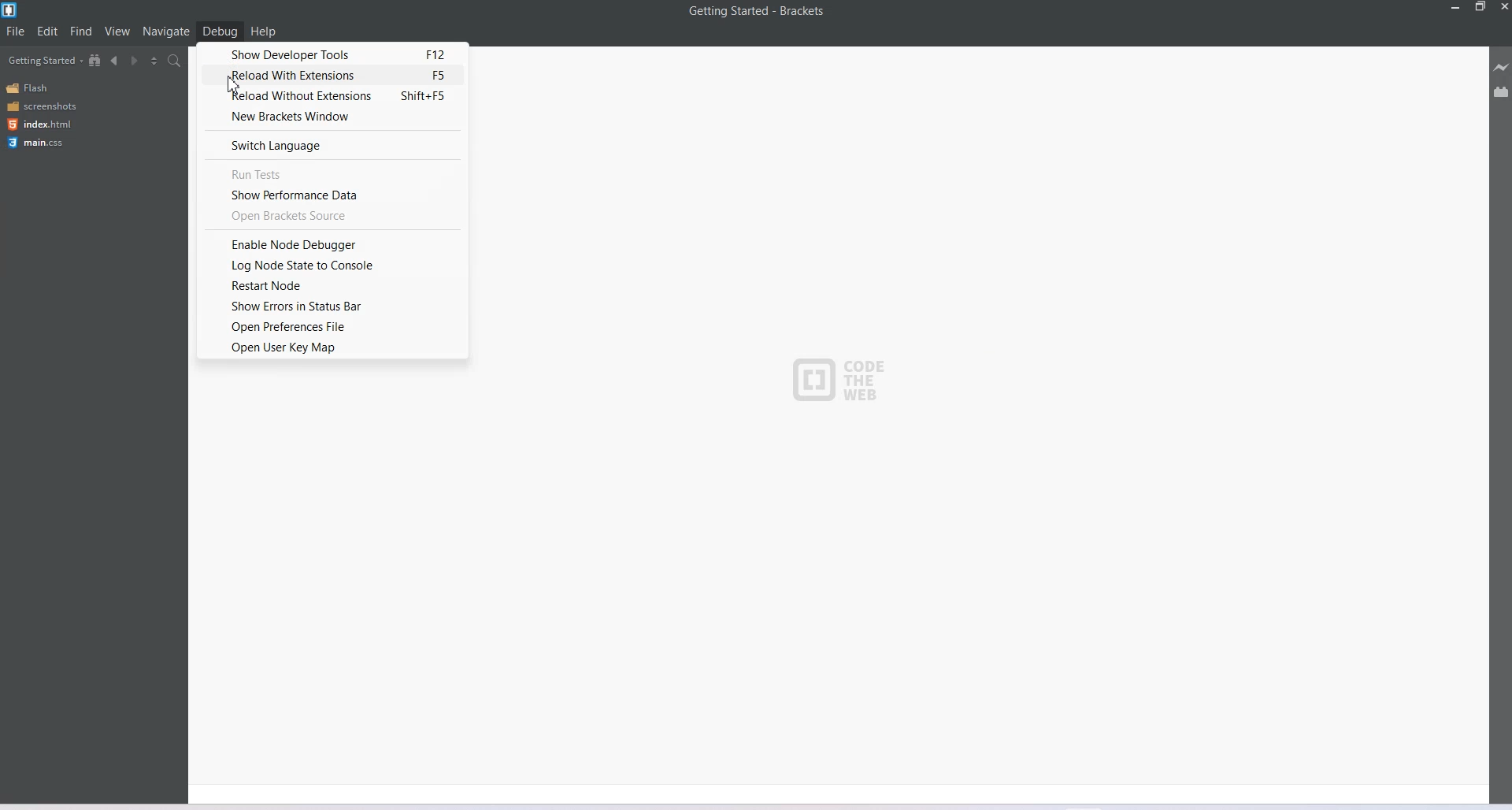 Image resolution: width=1512 pixels, height=810 pixels. I want to click on Navigation, so click(167, 31).